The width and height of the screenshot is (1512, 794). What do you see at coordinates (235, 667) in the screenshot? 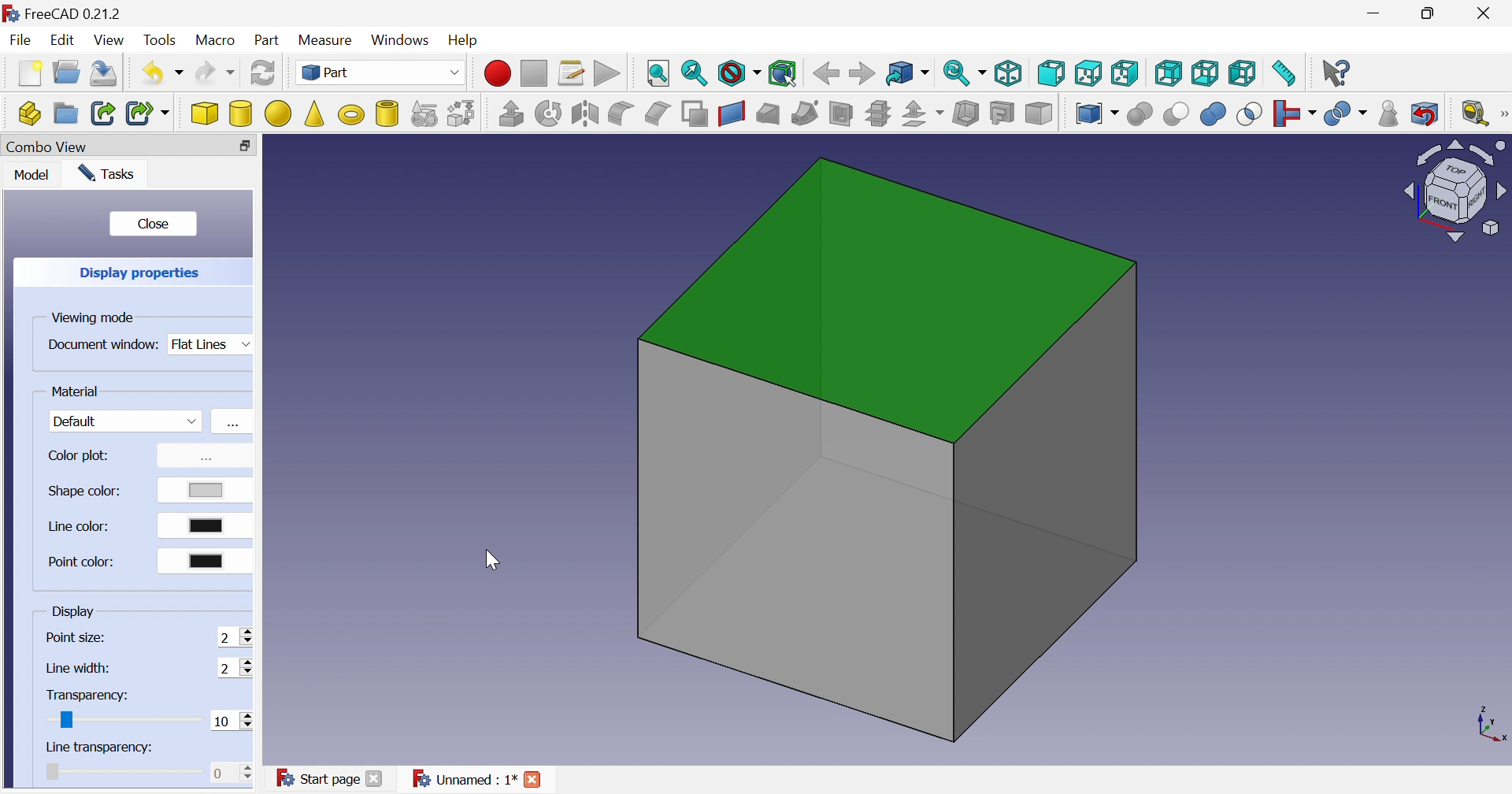
I see `2` at bounding box center [235, 667].